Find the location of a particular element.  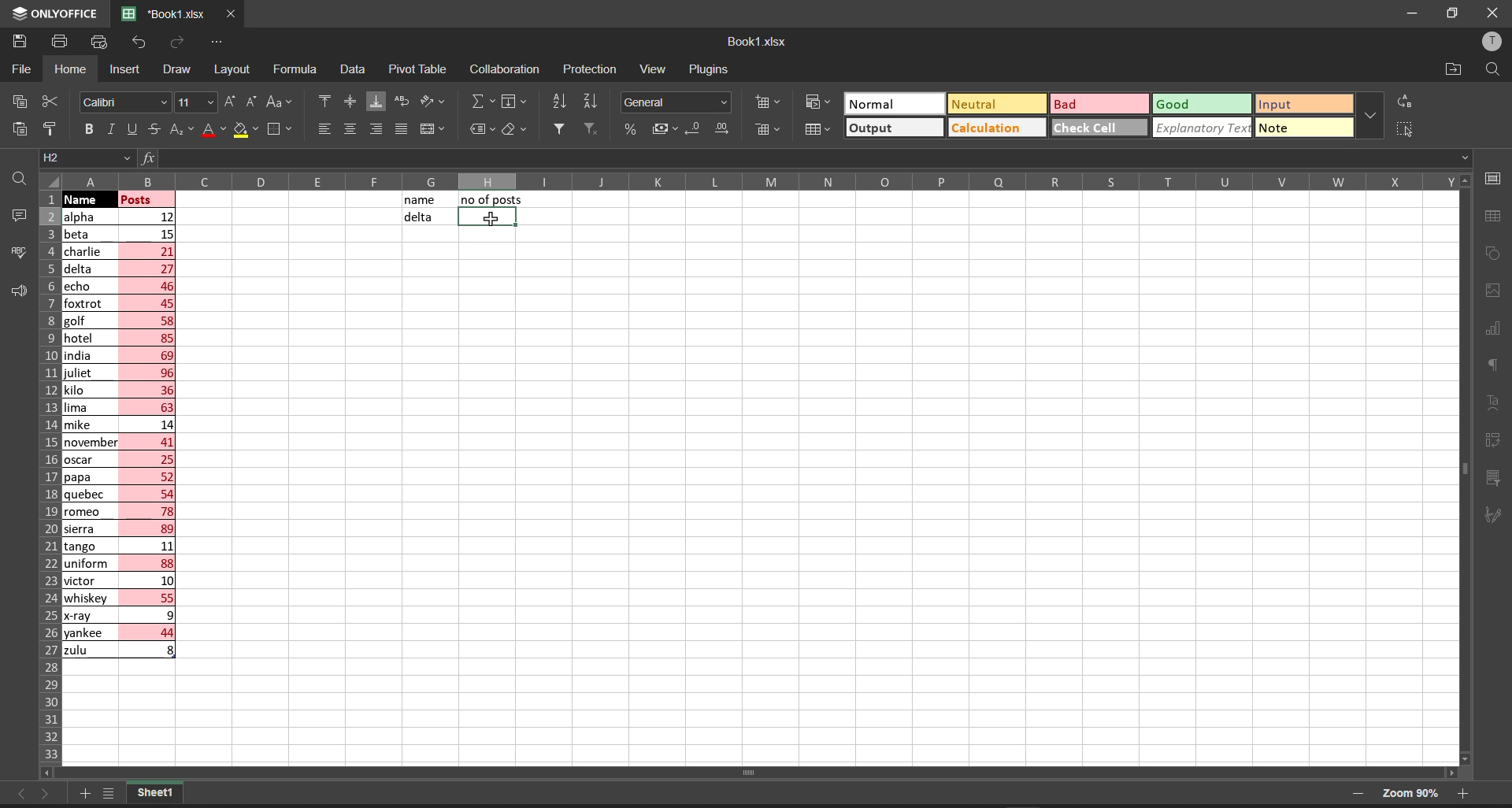

print is located at coordinates (61, 43).